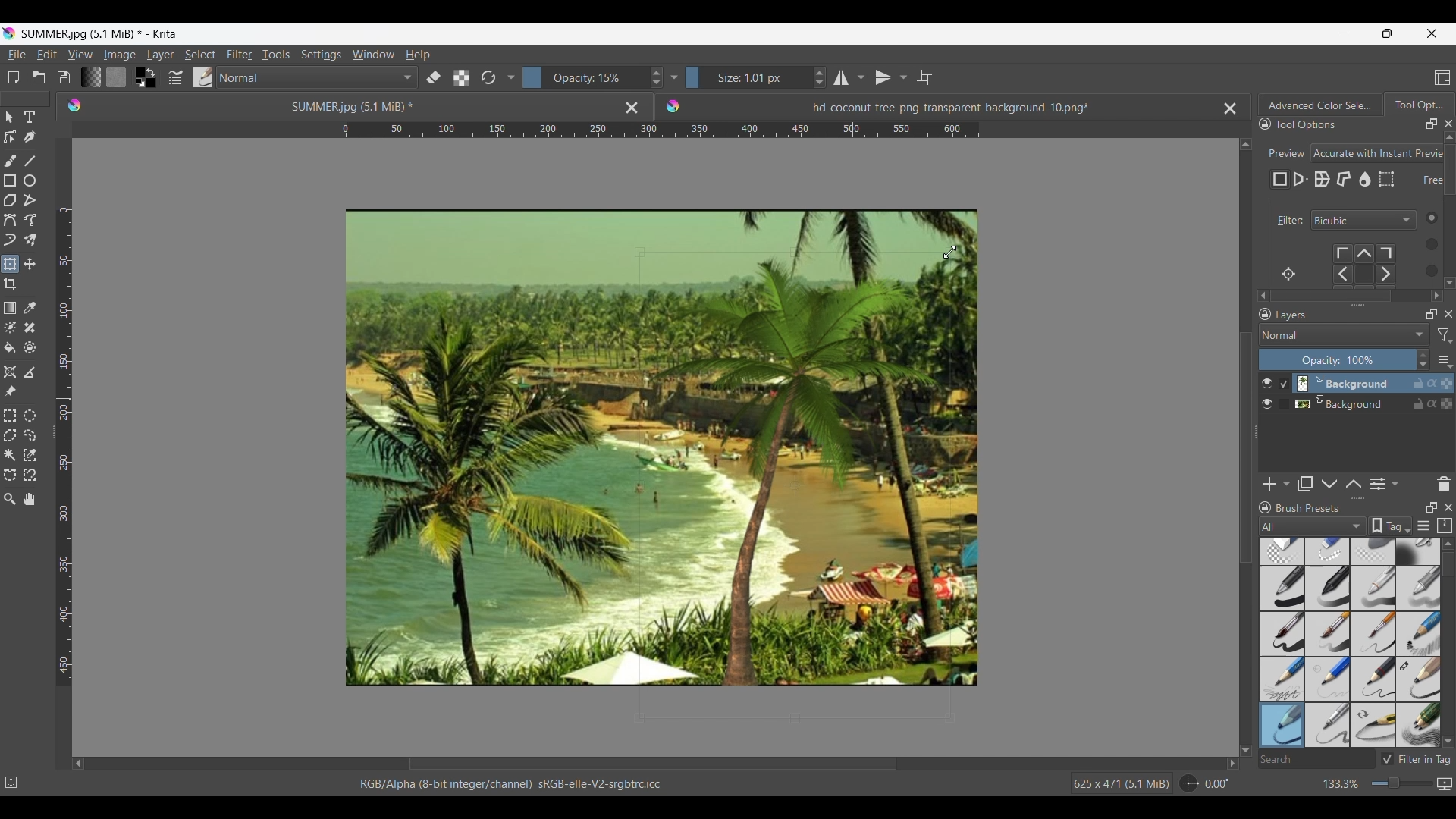 This screenshot has height=819, width=1456. What do you see at coordinates (756, 77) in the screenshot?
I see `Increase/Decrease size` at bounding box center [756, 77].